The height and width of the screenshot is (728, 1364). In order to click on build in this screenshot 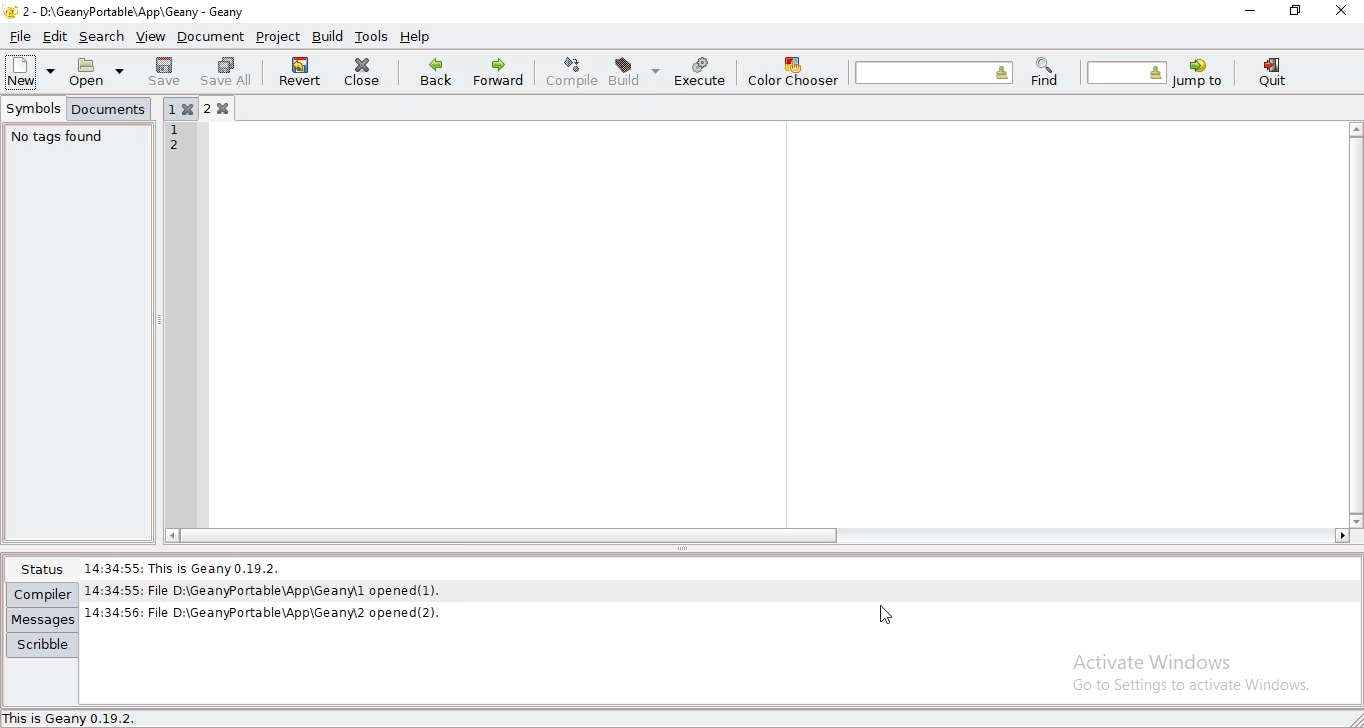, I will do `click(631, 71)`.